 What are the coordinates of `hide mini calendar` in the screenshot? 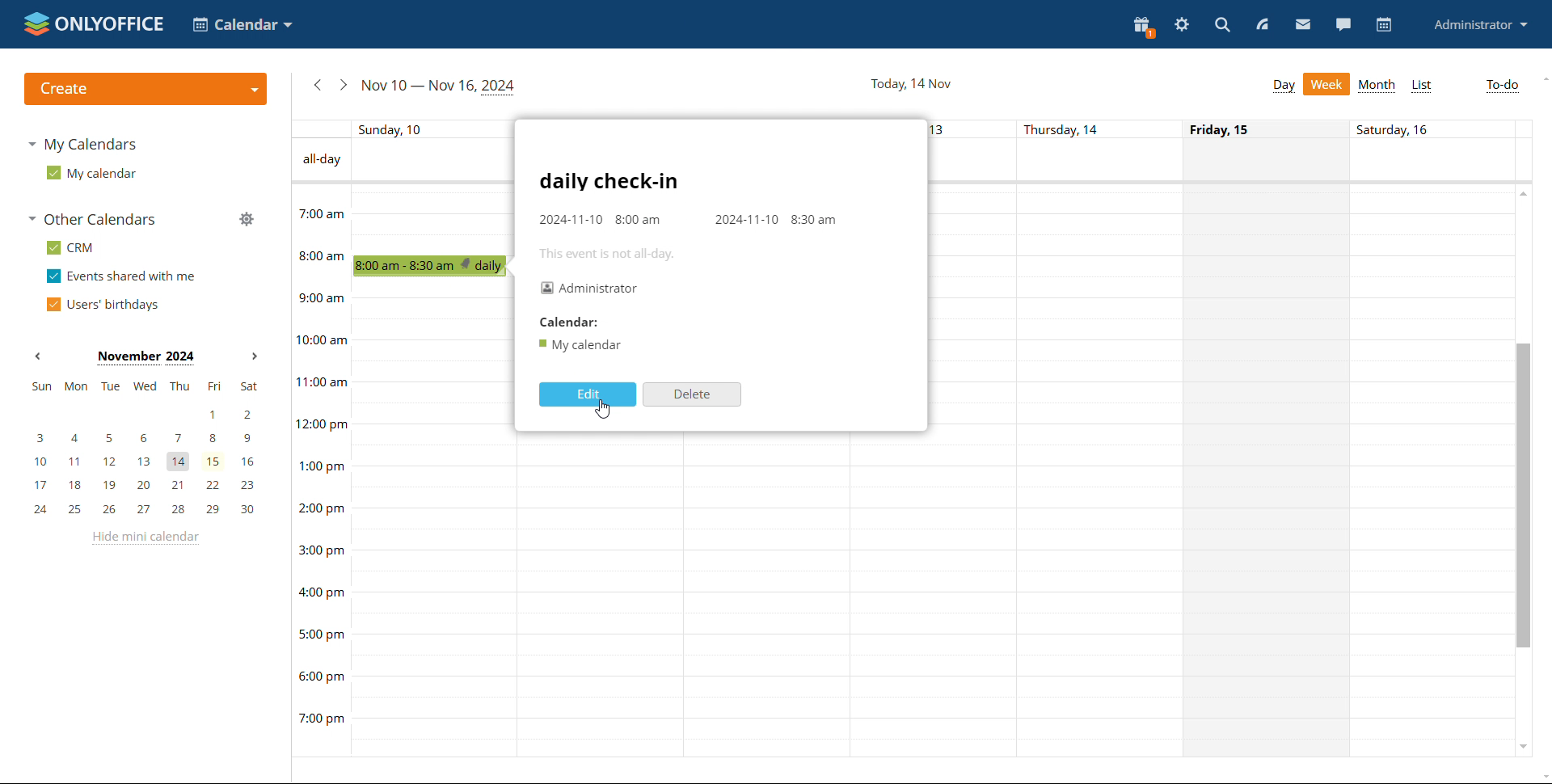 It's located at (143, 538).